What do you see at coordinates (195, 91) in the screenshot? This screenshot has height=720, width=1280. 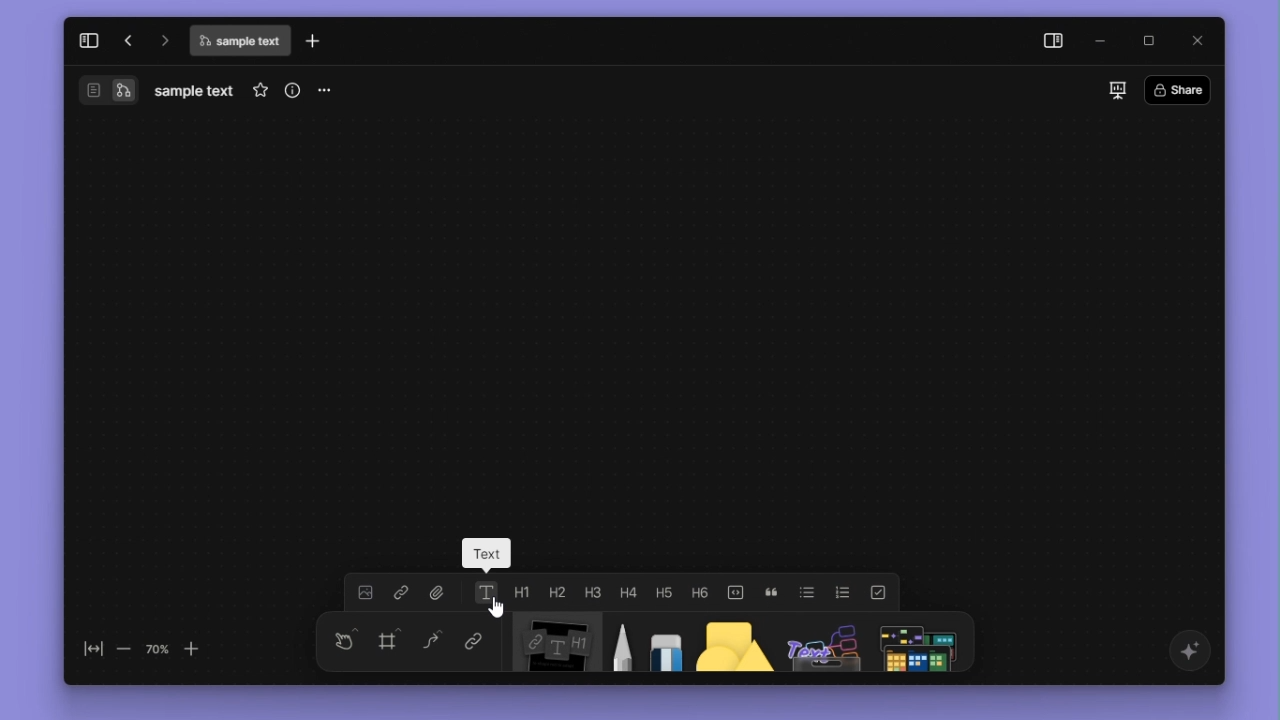 I see `file name` at bounding box center [195, 91].